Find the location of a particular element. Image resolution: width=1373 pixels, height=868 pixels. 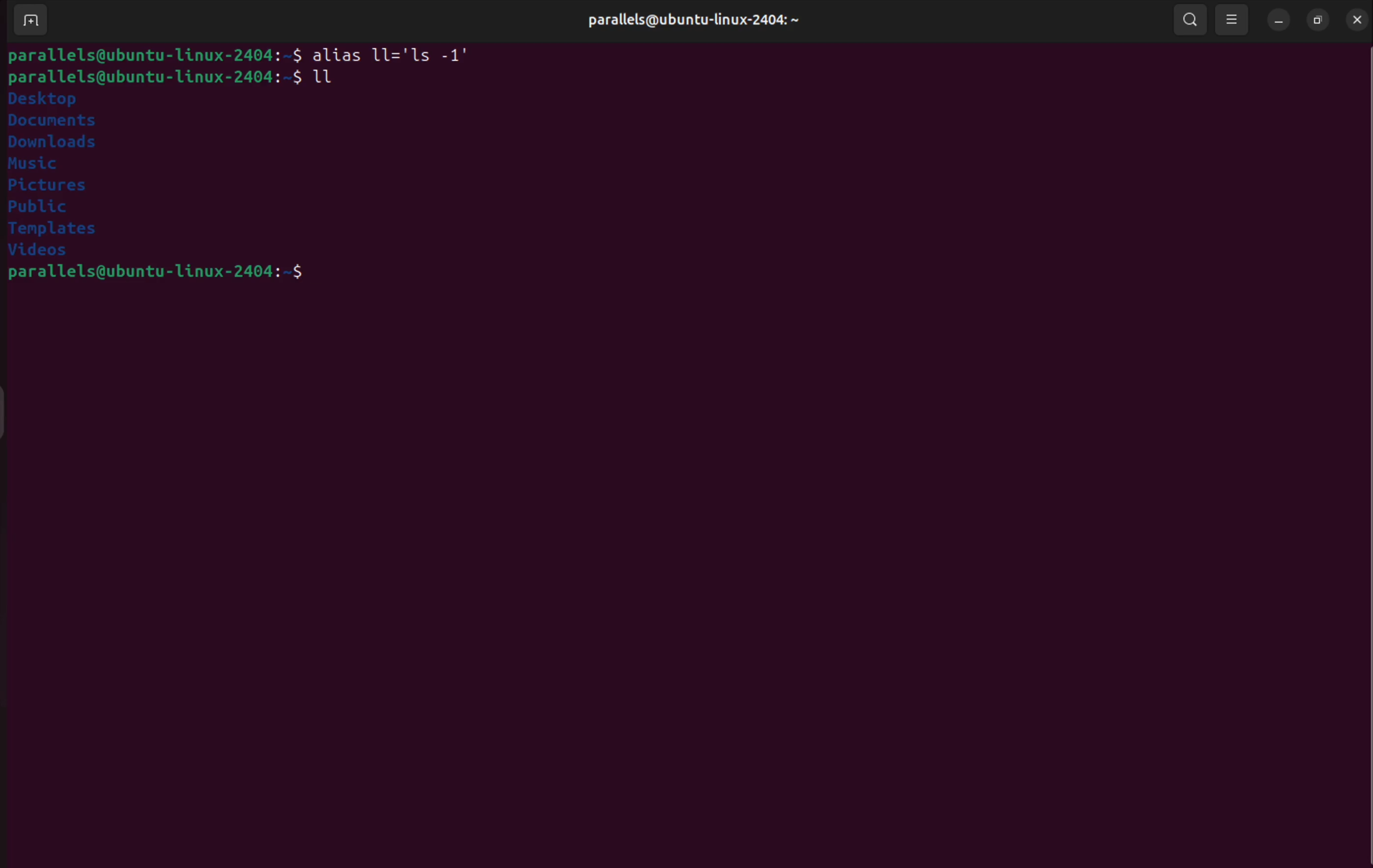

alias 11="ls -1" is located at coordinates (400, 52).